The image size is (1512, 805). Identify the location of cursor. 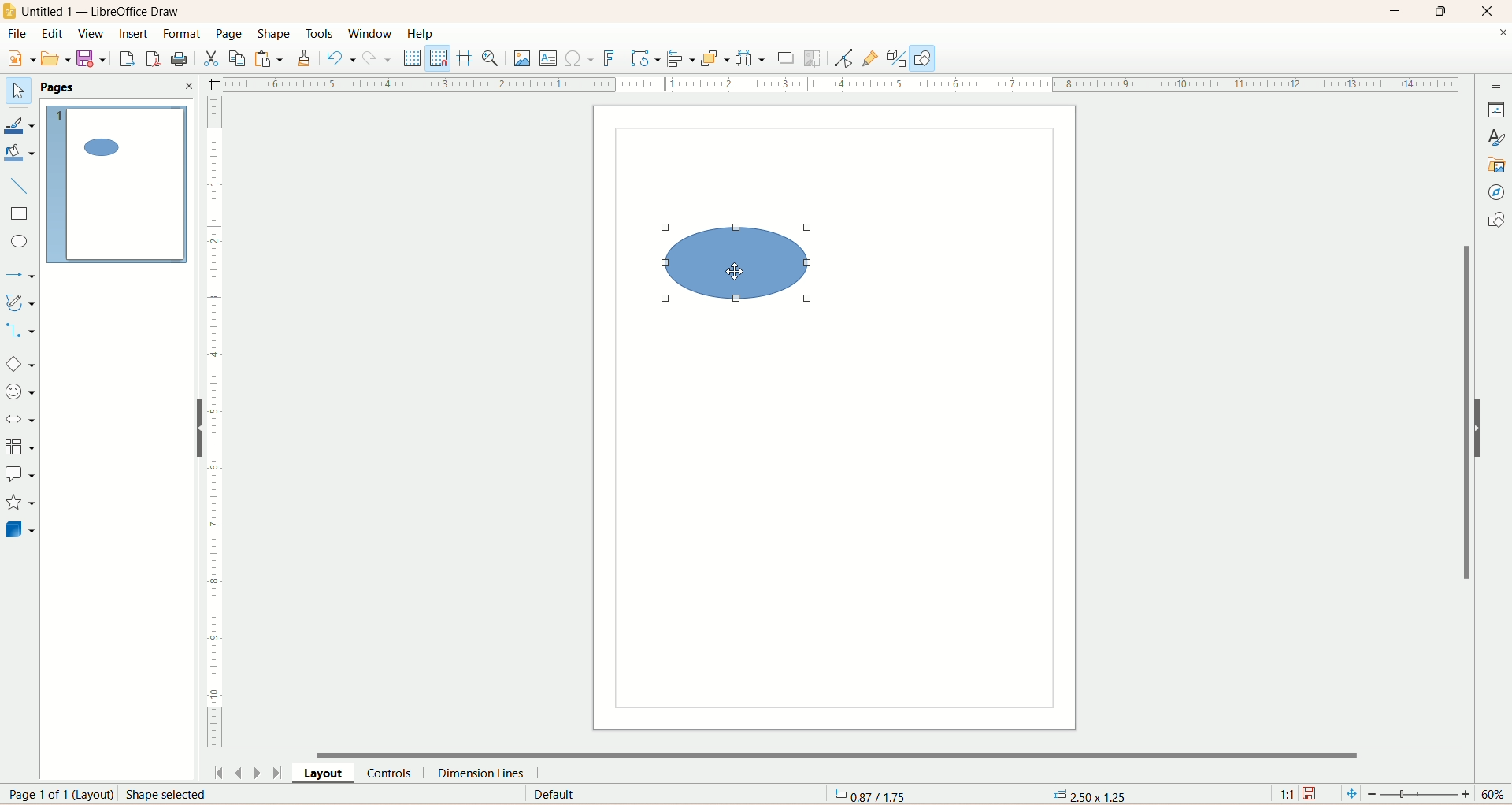
(736, 274).